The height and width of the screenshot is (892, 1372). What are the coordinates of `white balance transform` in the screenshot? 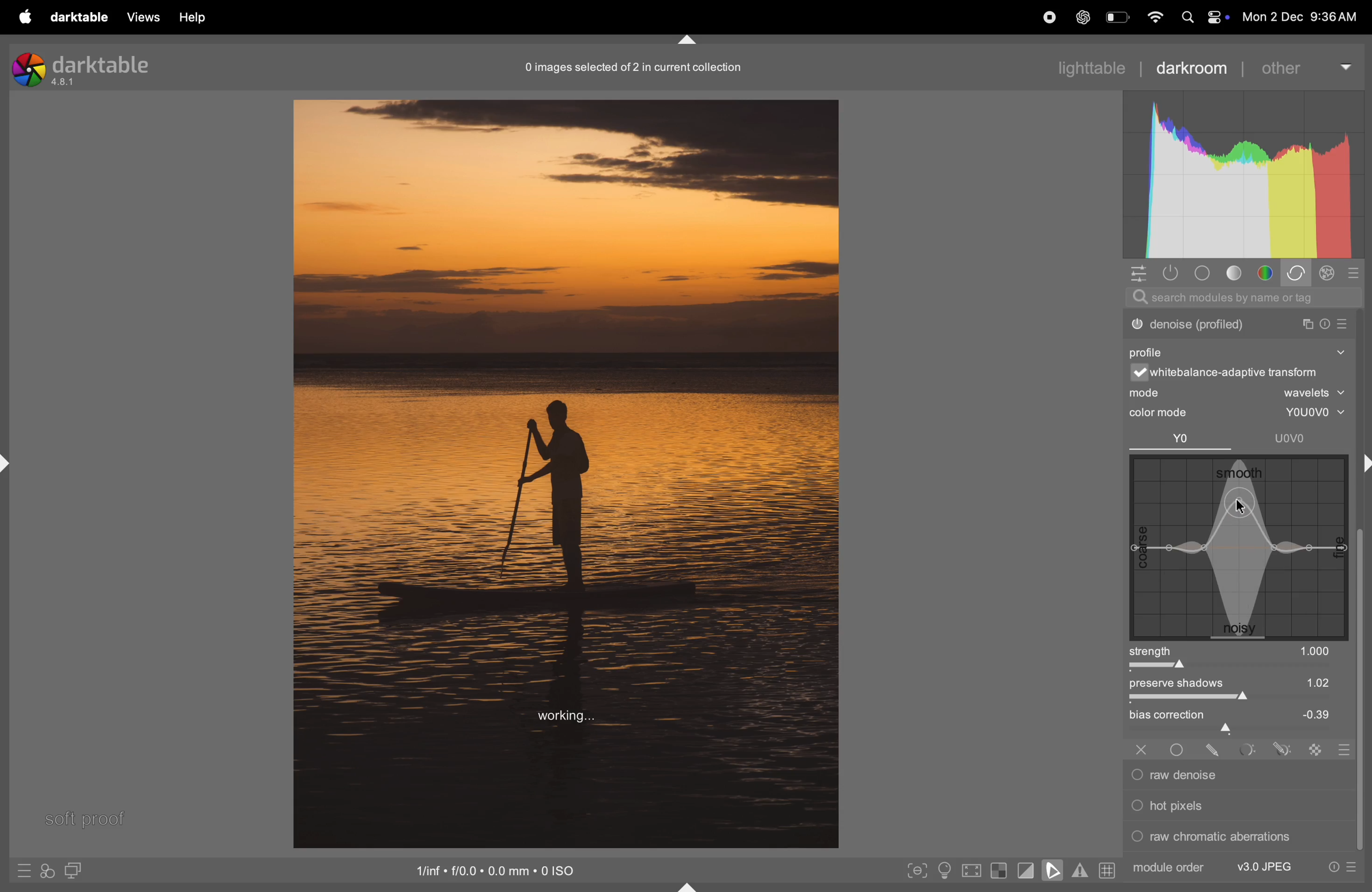 It's located at (1245, 374).